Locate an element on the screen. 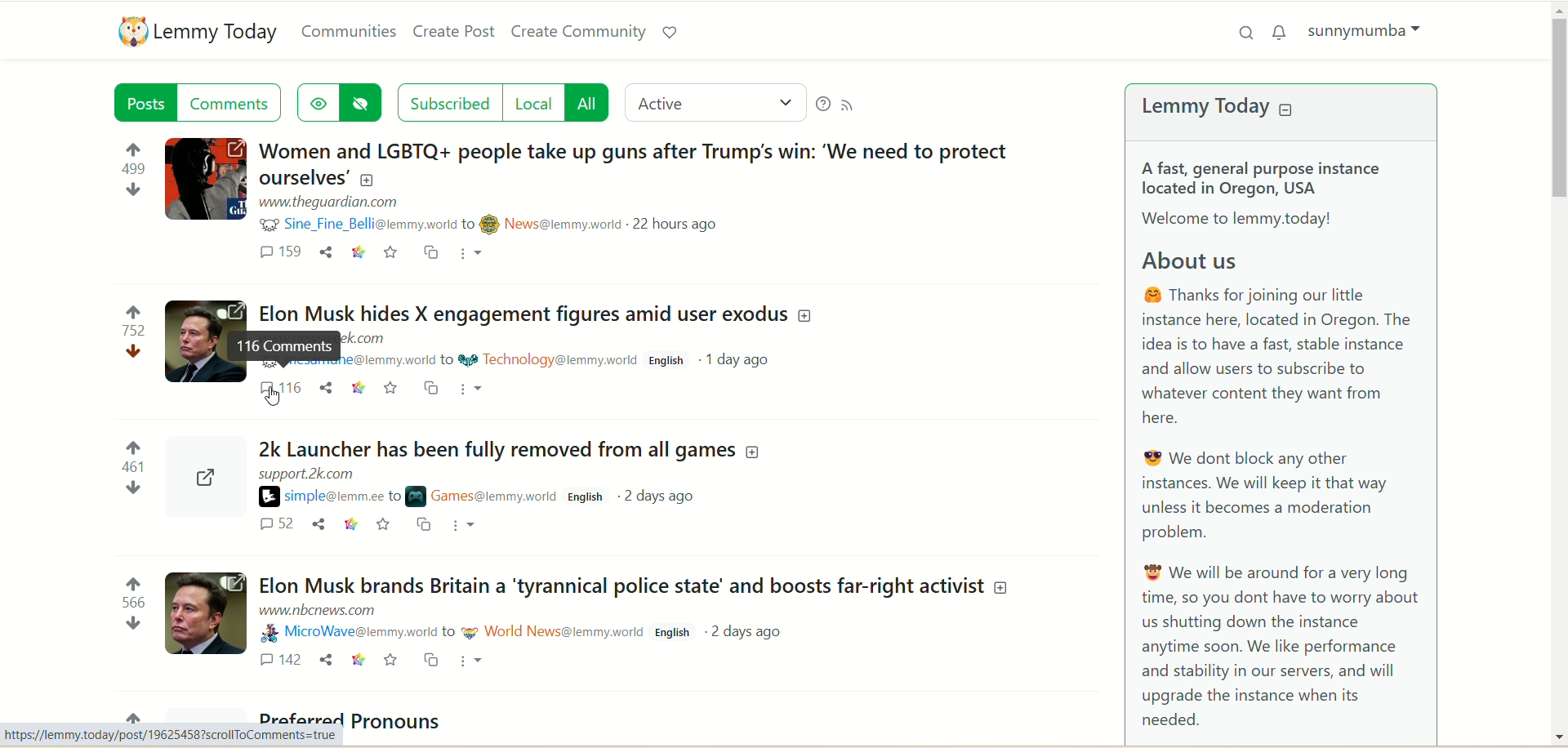  0 92p Sine_Fine_Belli@lemmy.world to §@ News@lemmy.world is located at coordinates (439, 224).